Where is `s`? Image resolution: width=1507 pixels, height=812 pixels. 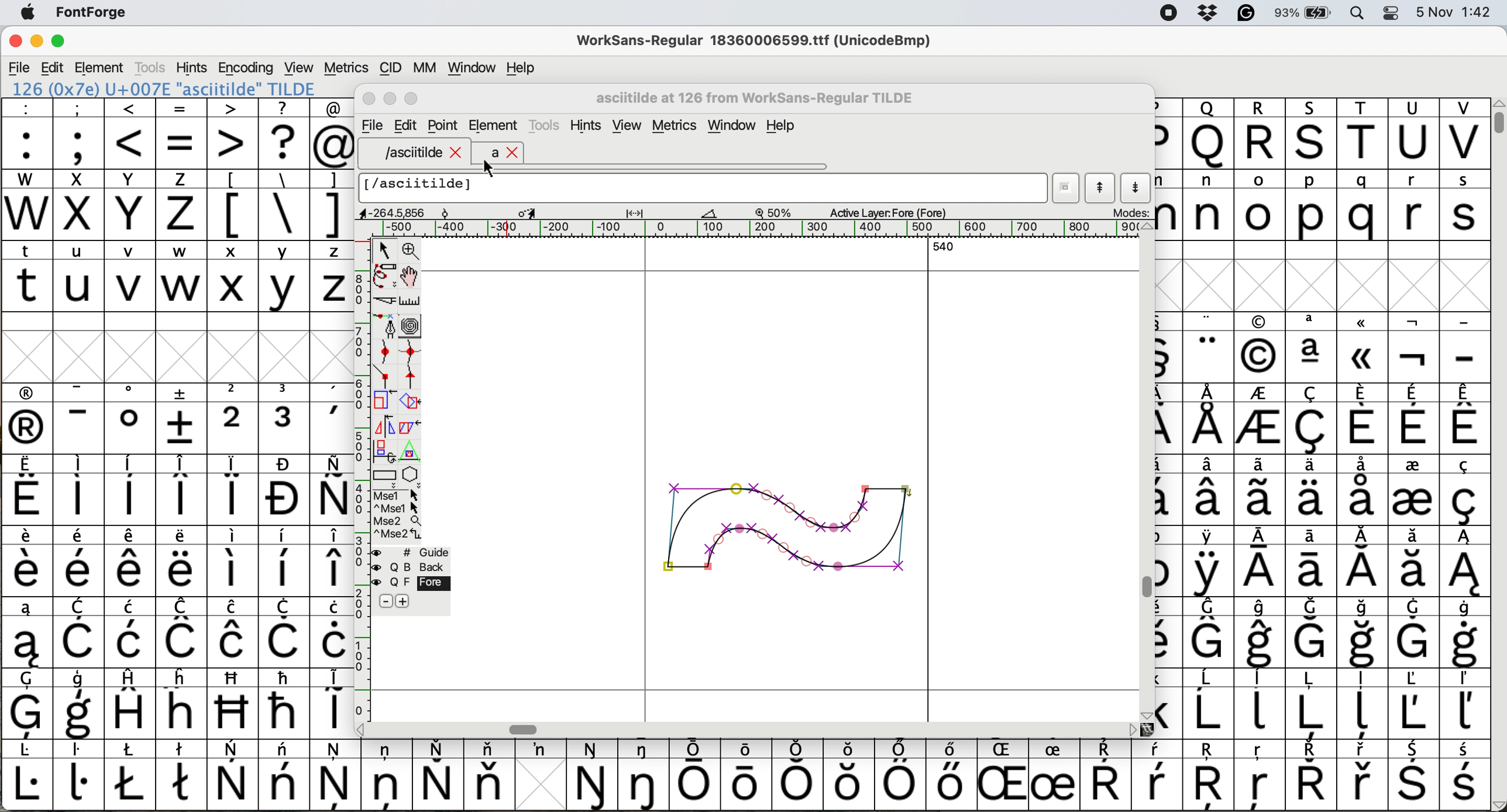 s is located at coordinates (1465, 205).